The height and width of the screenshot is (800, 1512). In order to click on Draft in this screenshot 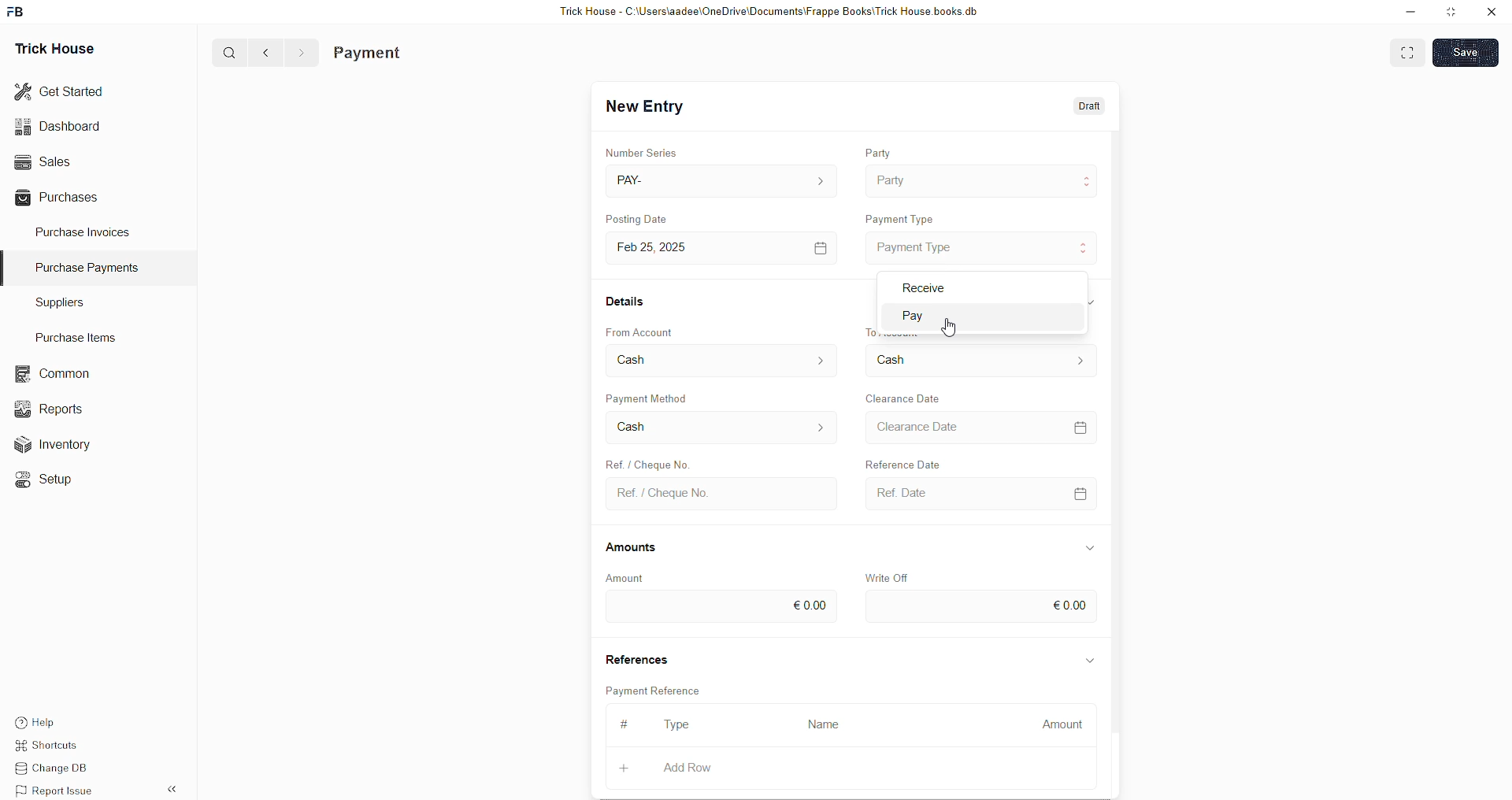, I will do `click(1091, 107)`.